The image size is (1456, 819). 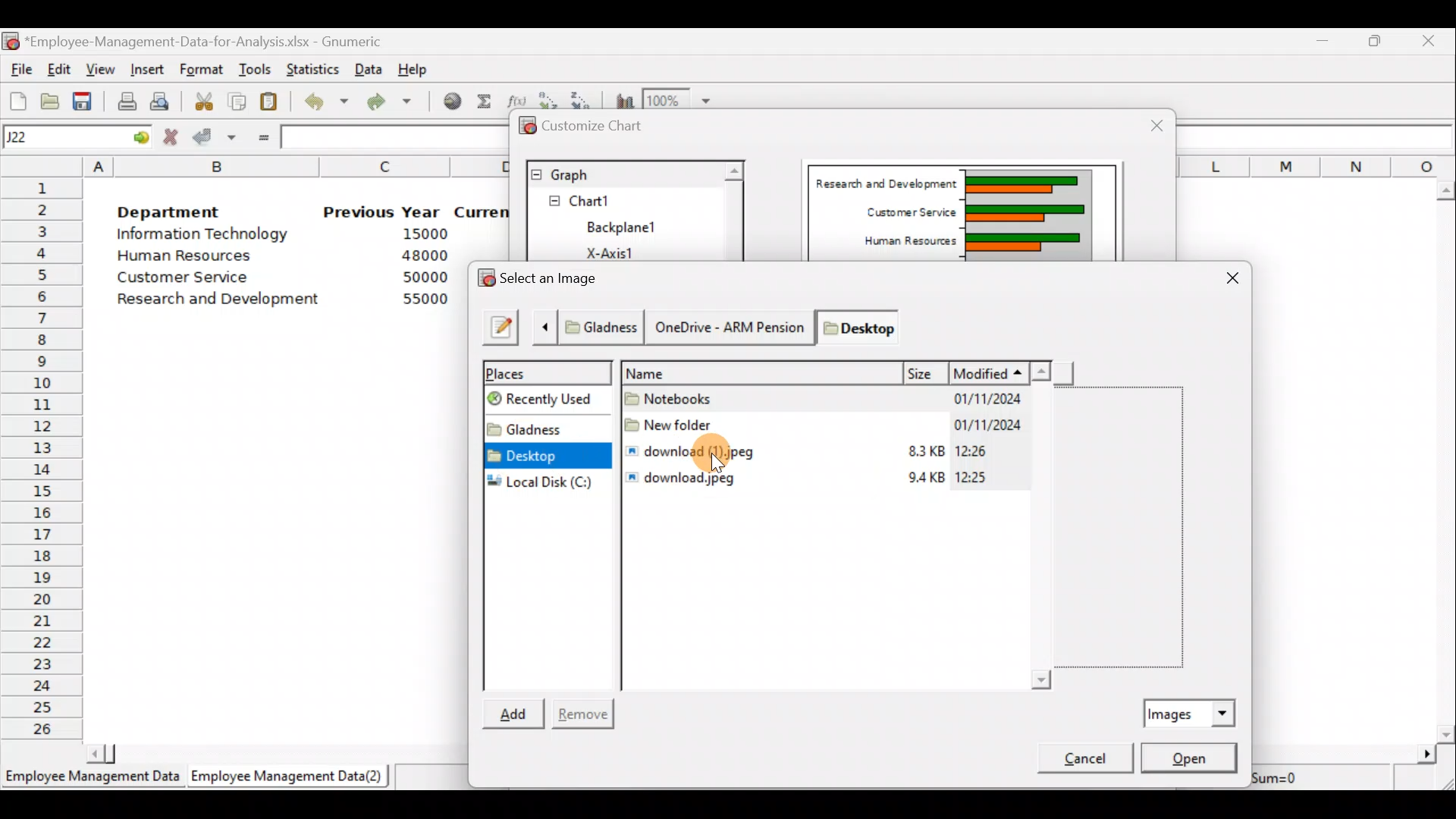 What do you see at coordinates (328, 105) in the screenshot?
I see `Undo last action` at bounding box center [328, 105].